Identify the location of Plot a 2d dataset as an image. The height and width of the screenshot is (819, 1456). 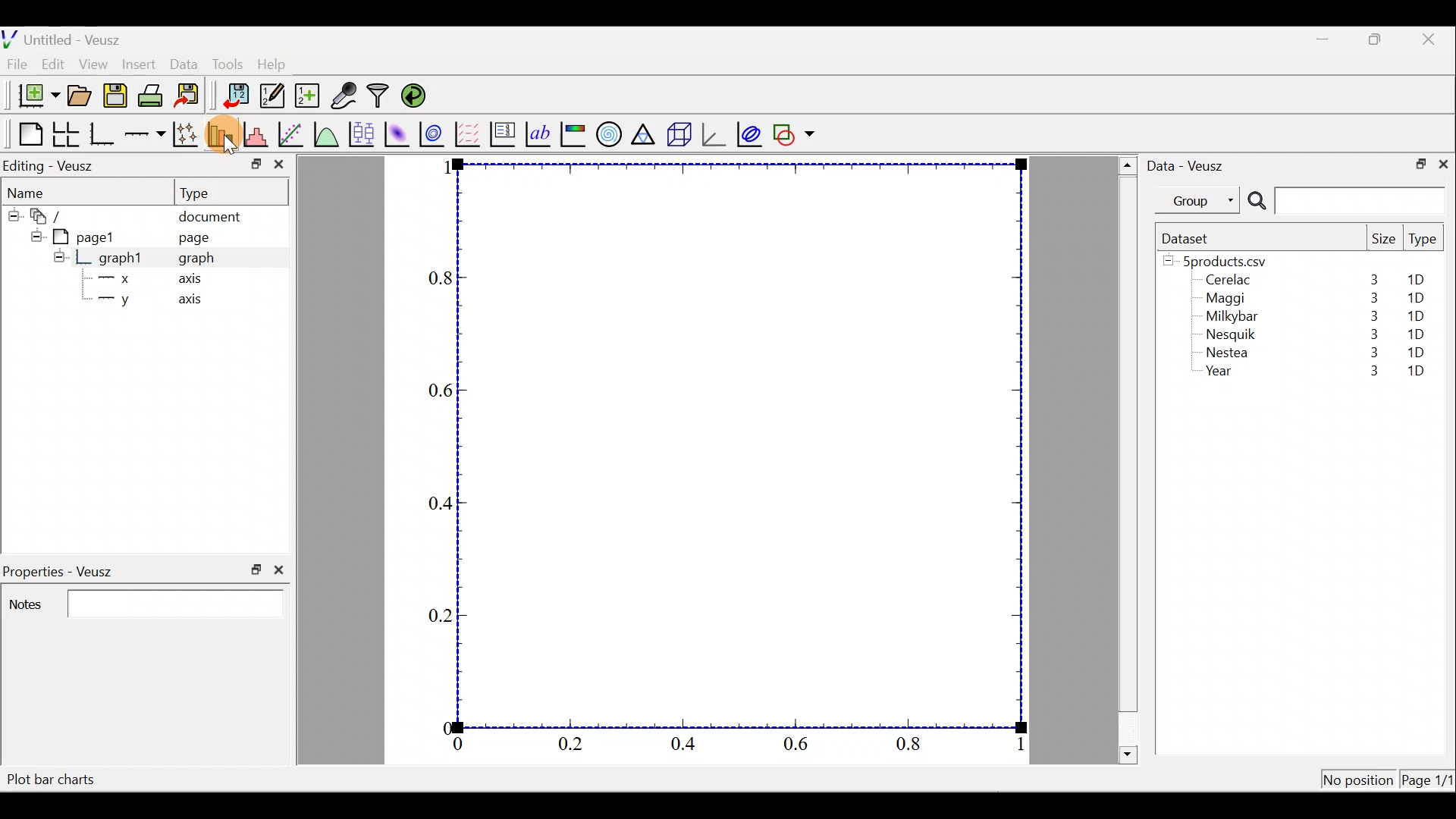
(399, 132).